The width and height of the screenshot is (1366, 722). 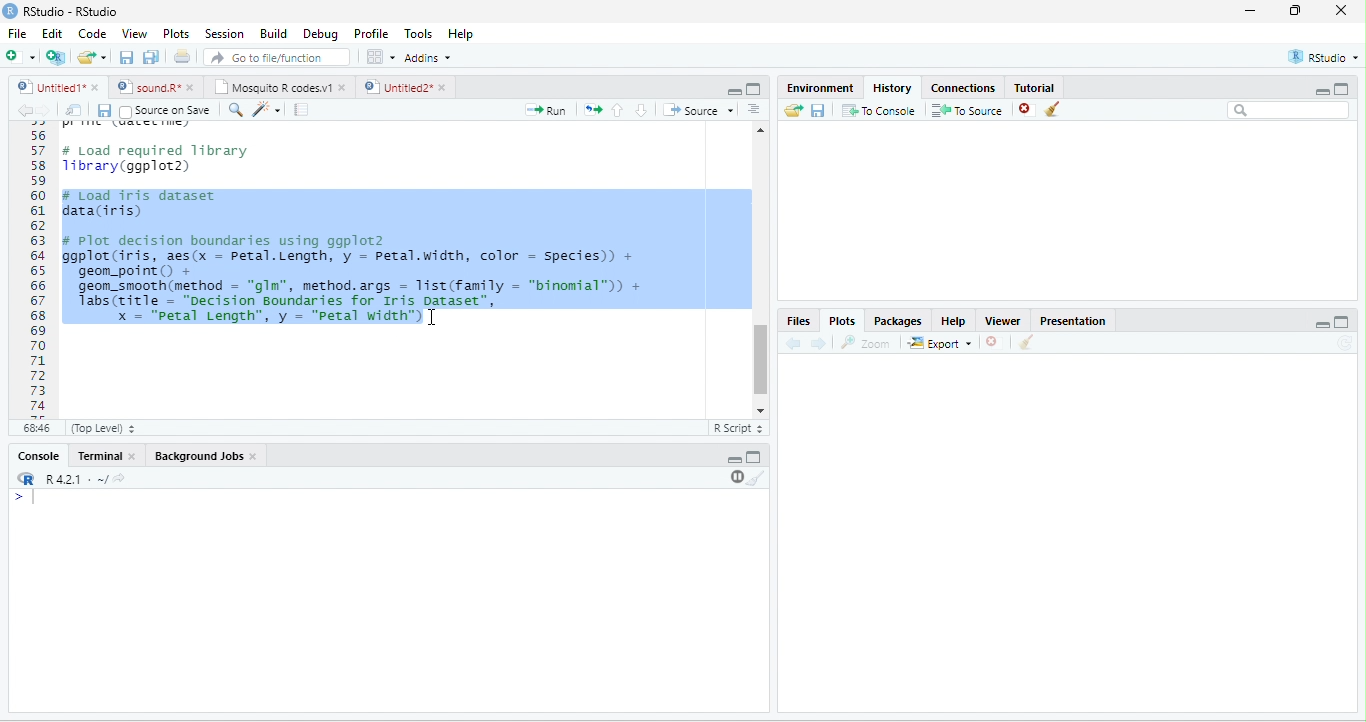 What do you see at coordinates (754, 109) in the screenshot?
I see `options` at bounding box center [754, 109].